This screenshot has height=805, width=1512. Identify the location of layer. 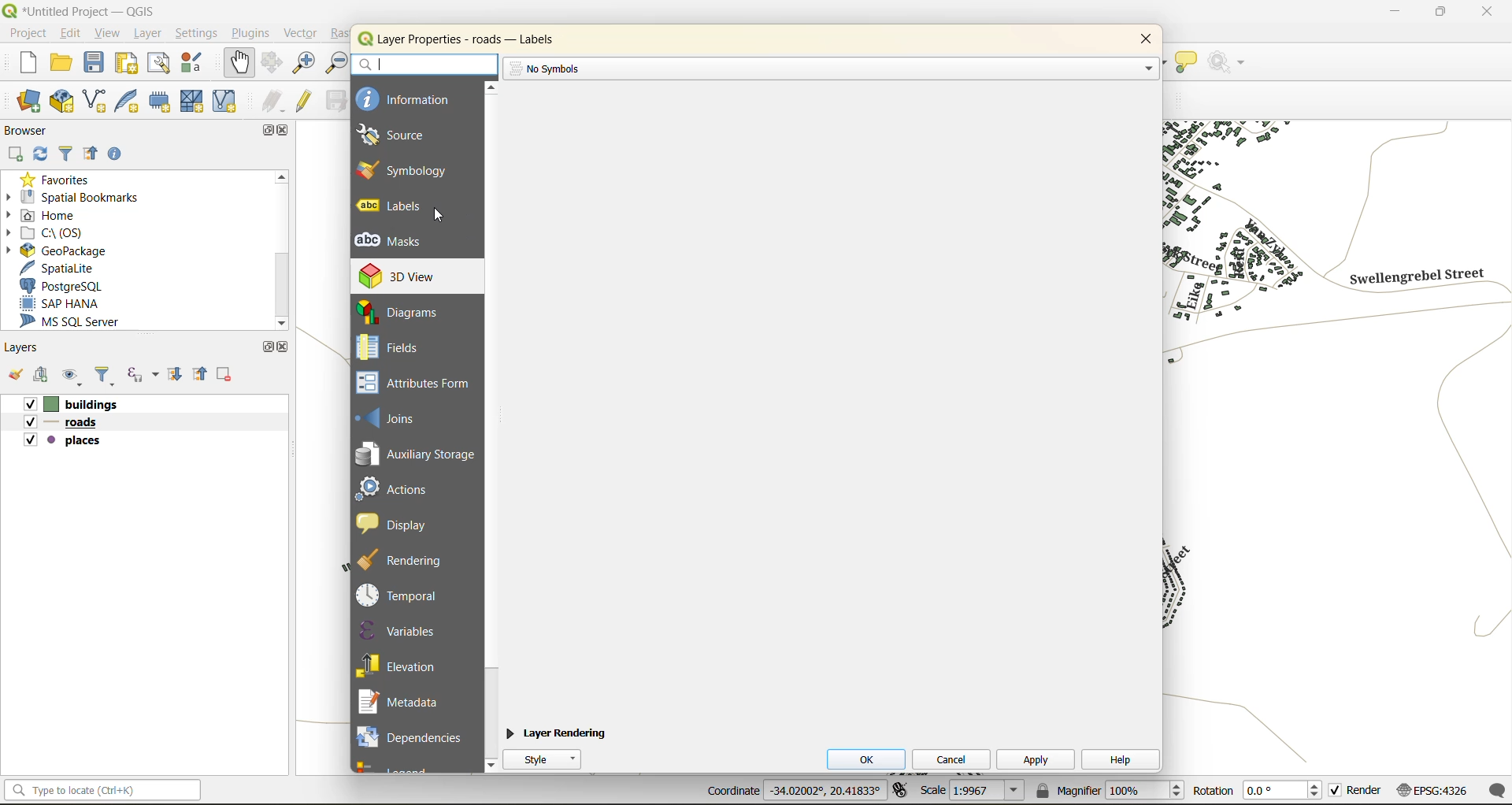
(146, 35).